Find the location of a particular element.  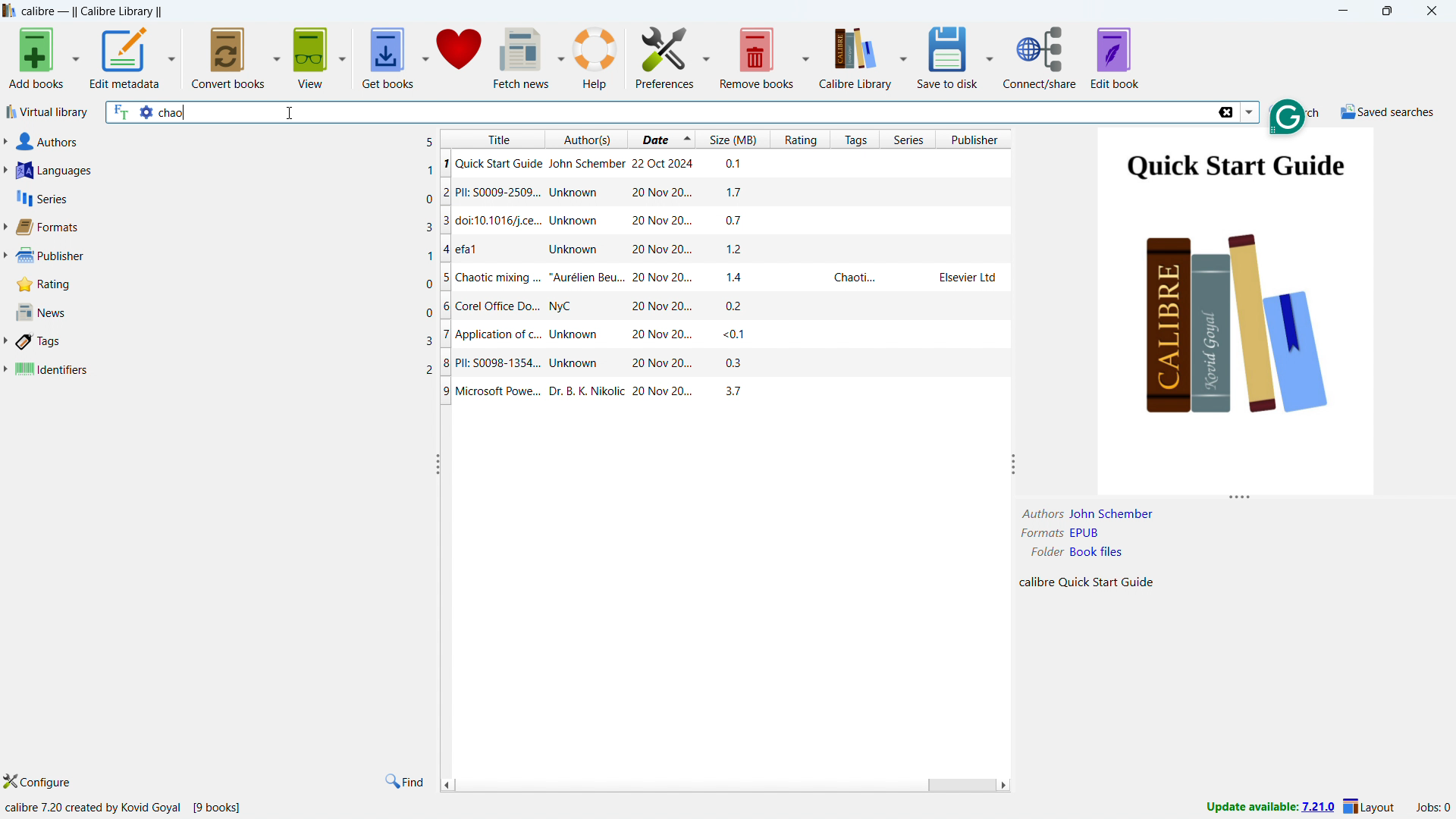

Author is located at coordinates (1041, 513).